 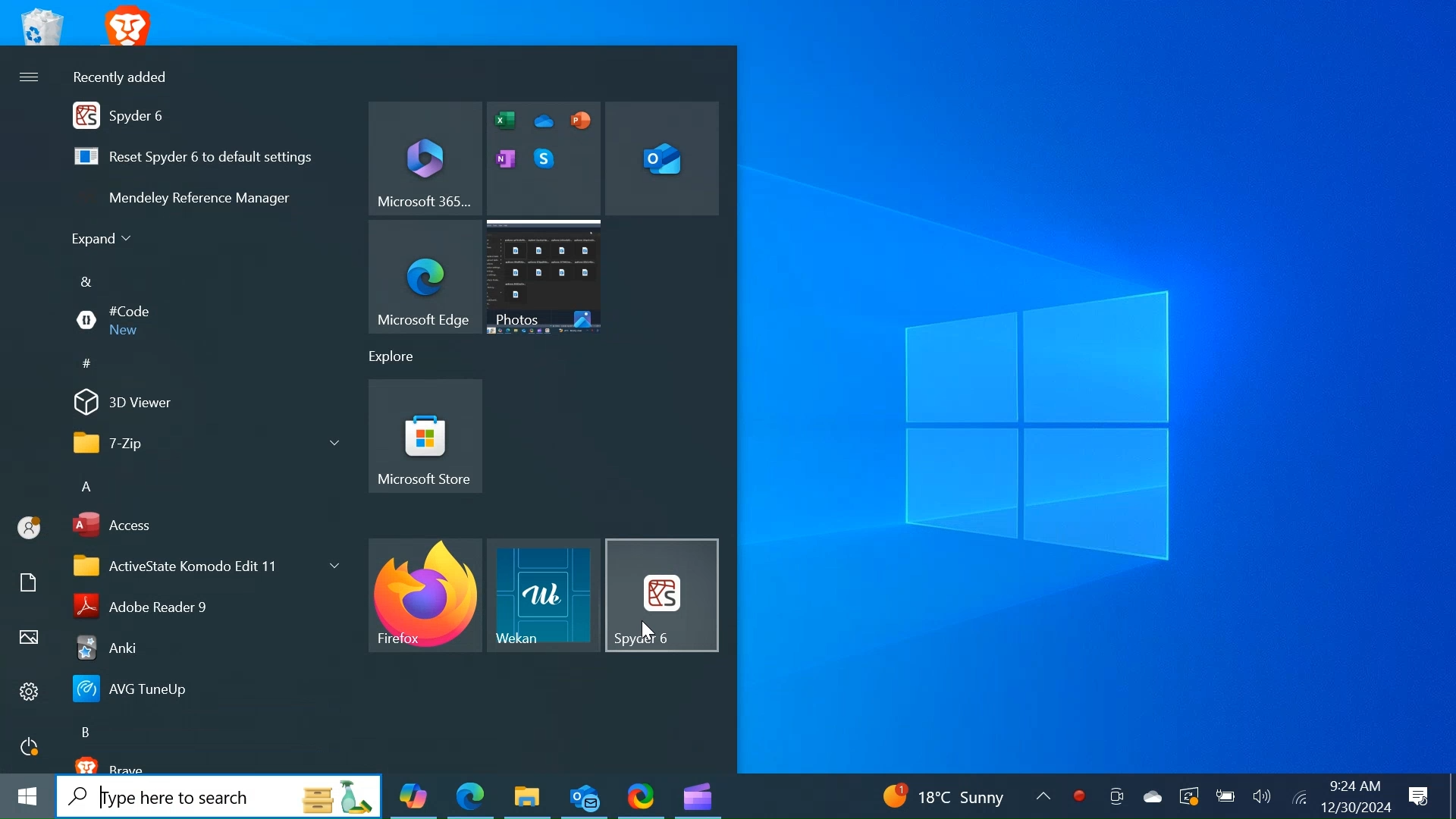 What do you see at coordinates (547, 278) in the screenshot?
I see `Photos` at bounding box center [547, 278].